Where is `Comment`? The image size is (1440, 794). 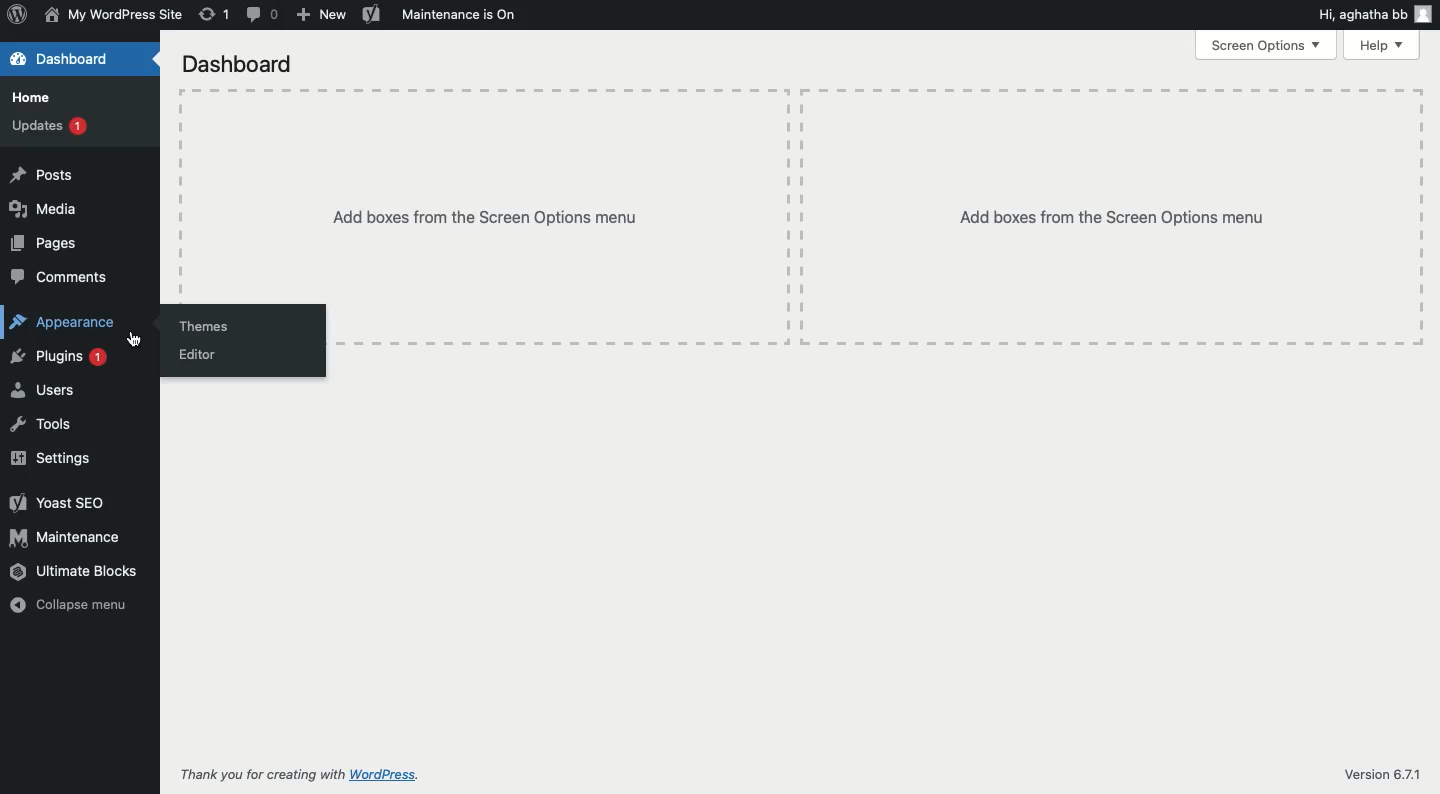
Comment is located at coordinates (260, 16).